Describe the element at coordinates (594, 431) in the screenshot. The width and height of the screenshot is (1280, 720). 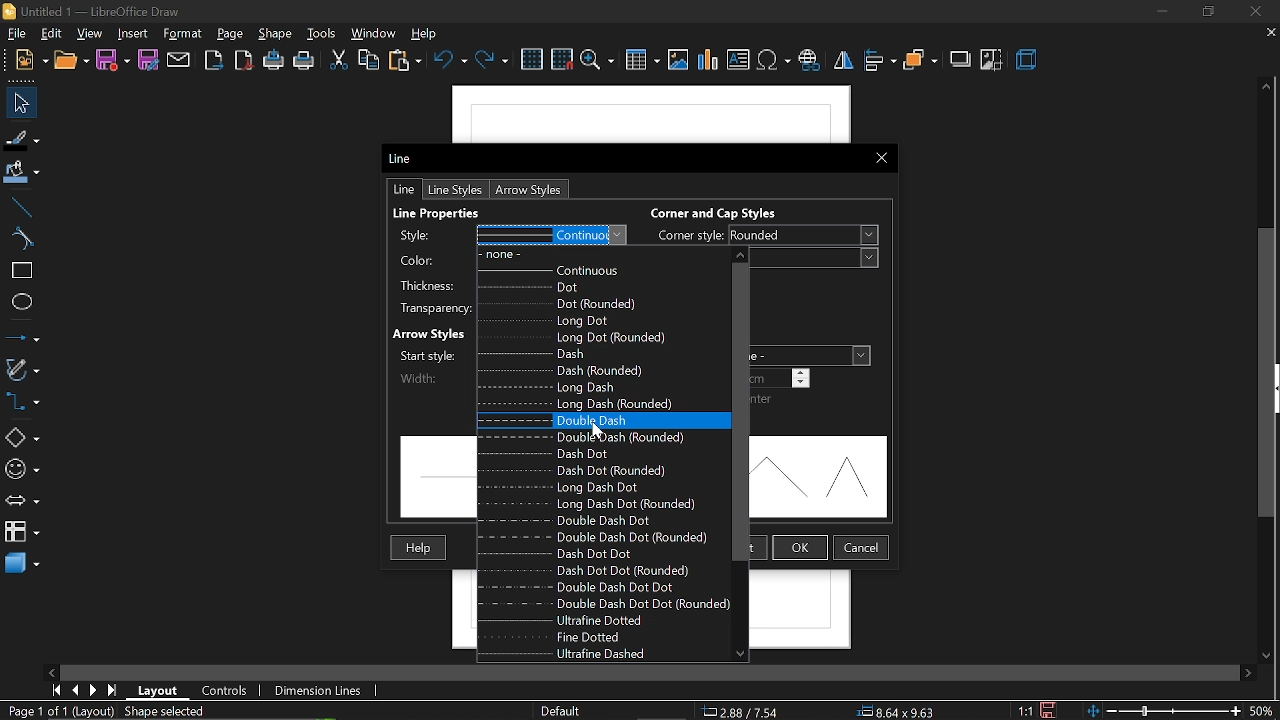
I see `Cursor` at that location.